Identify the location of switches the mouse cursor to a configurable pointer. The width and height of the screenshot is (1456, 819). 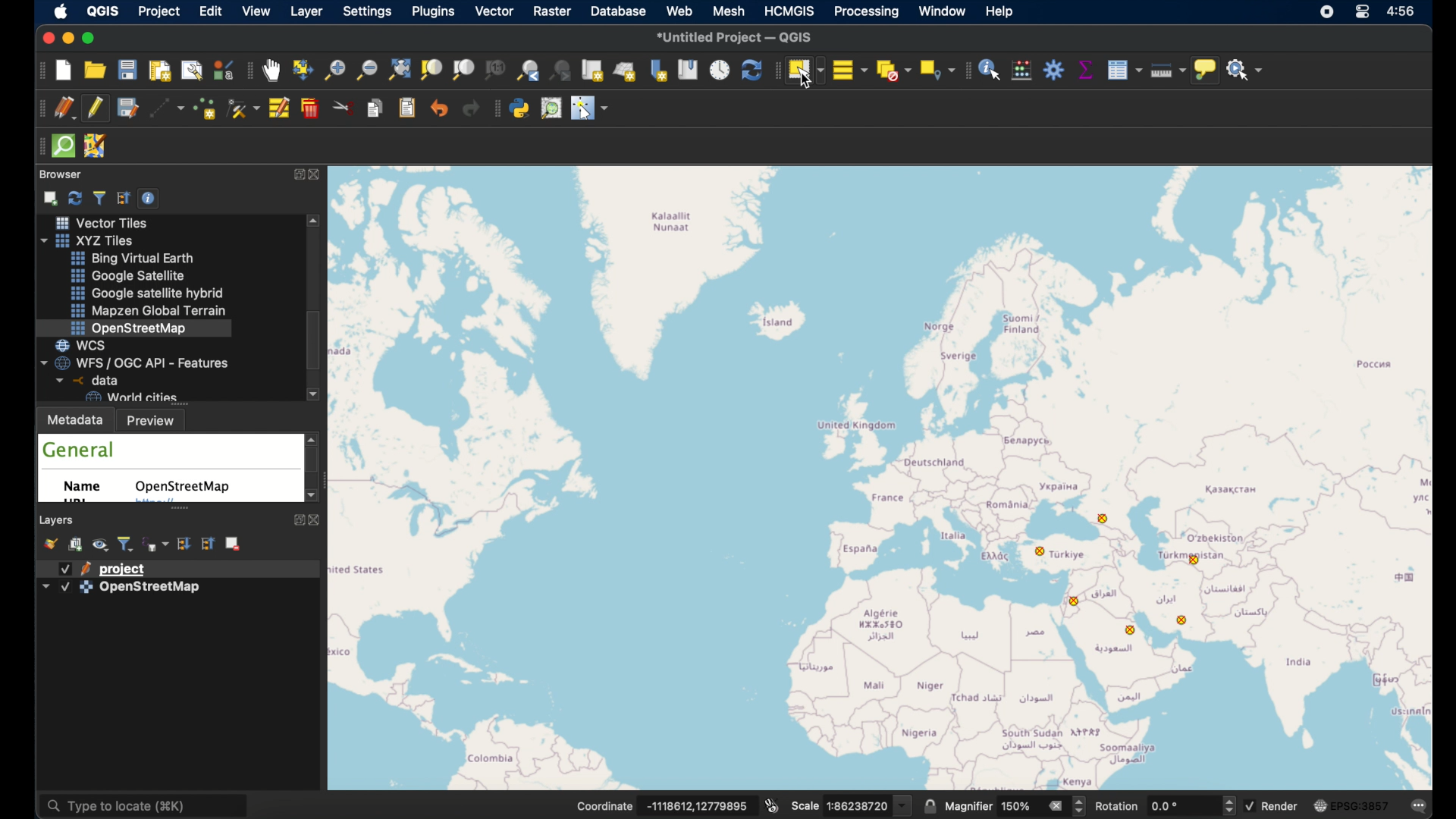
(590, 108).